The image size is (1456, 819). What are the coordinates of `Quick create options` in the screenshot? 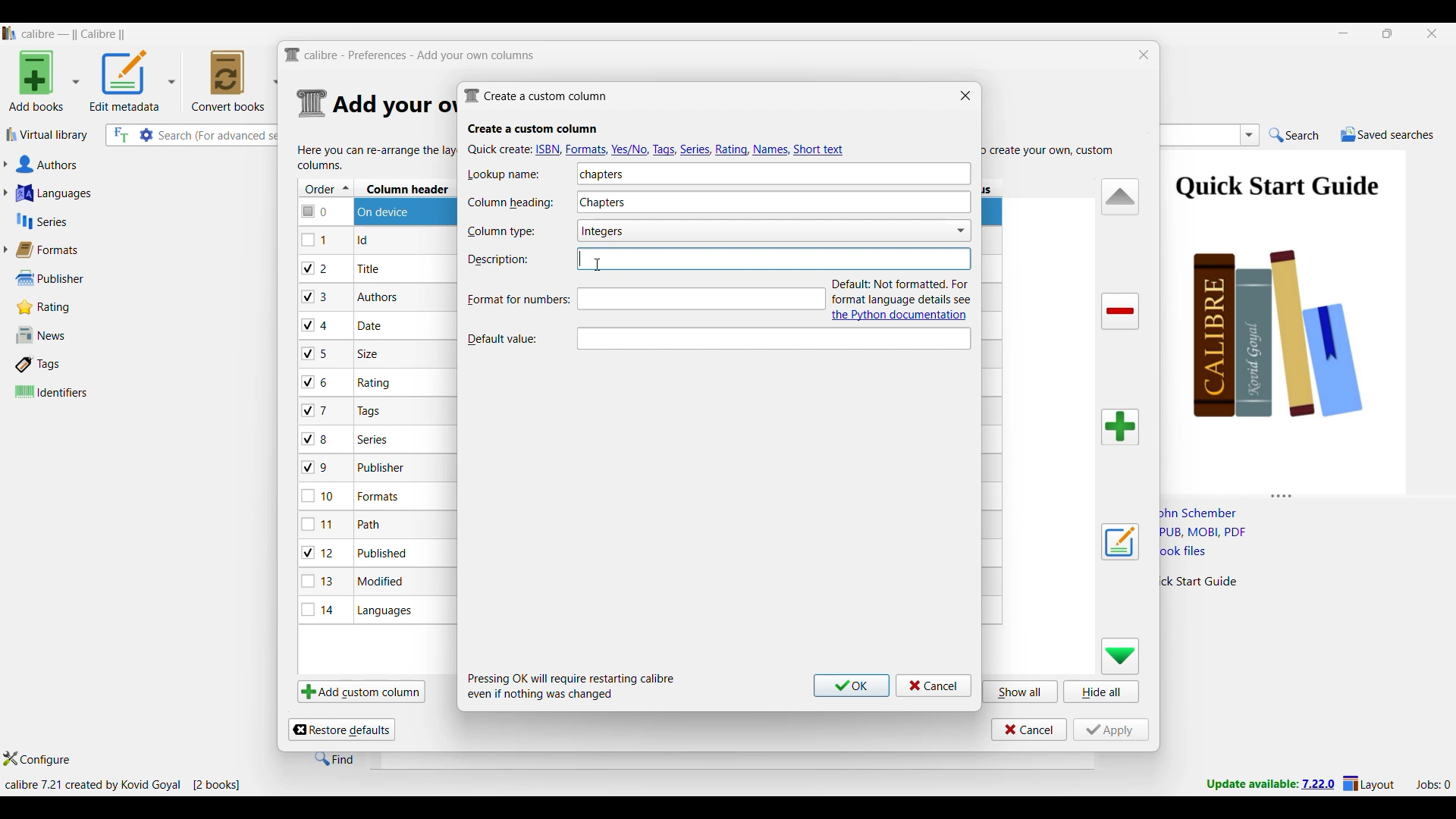 It's located at (658, 149).